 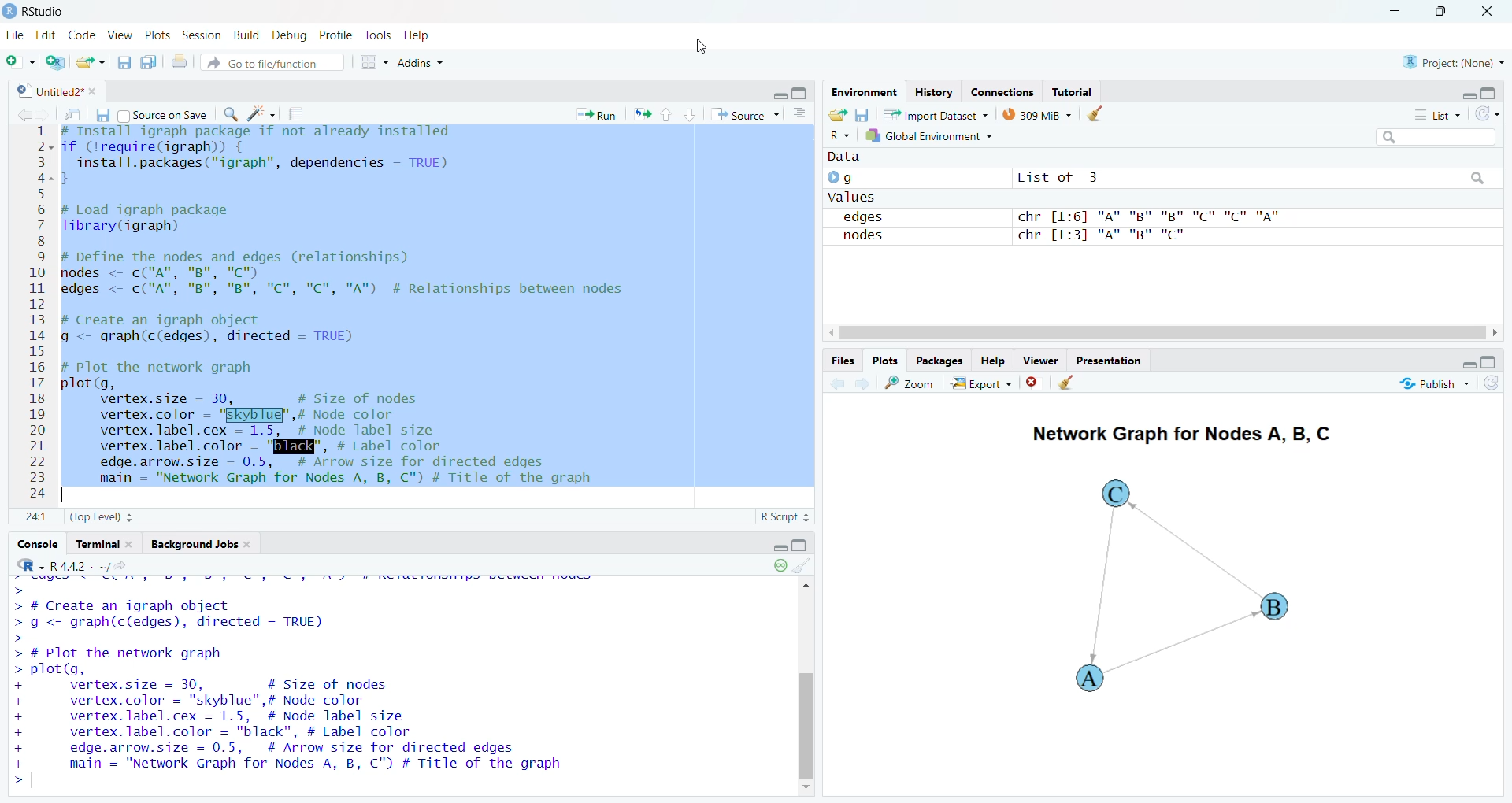 I want to click on options, so click(x=798, y=117).